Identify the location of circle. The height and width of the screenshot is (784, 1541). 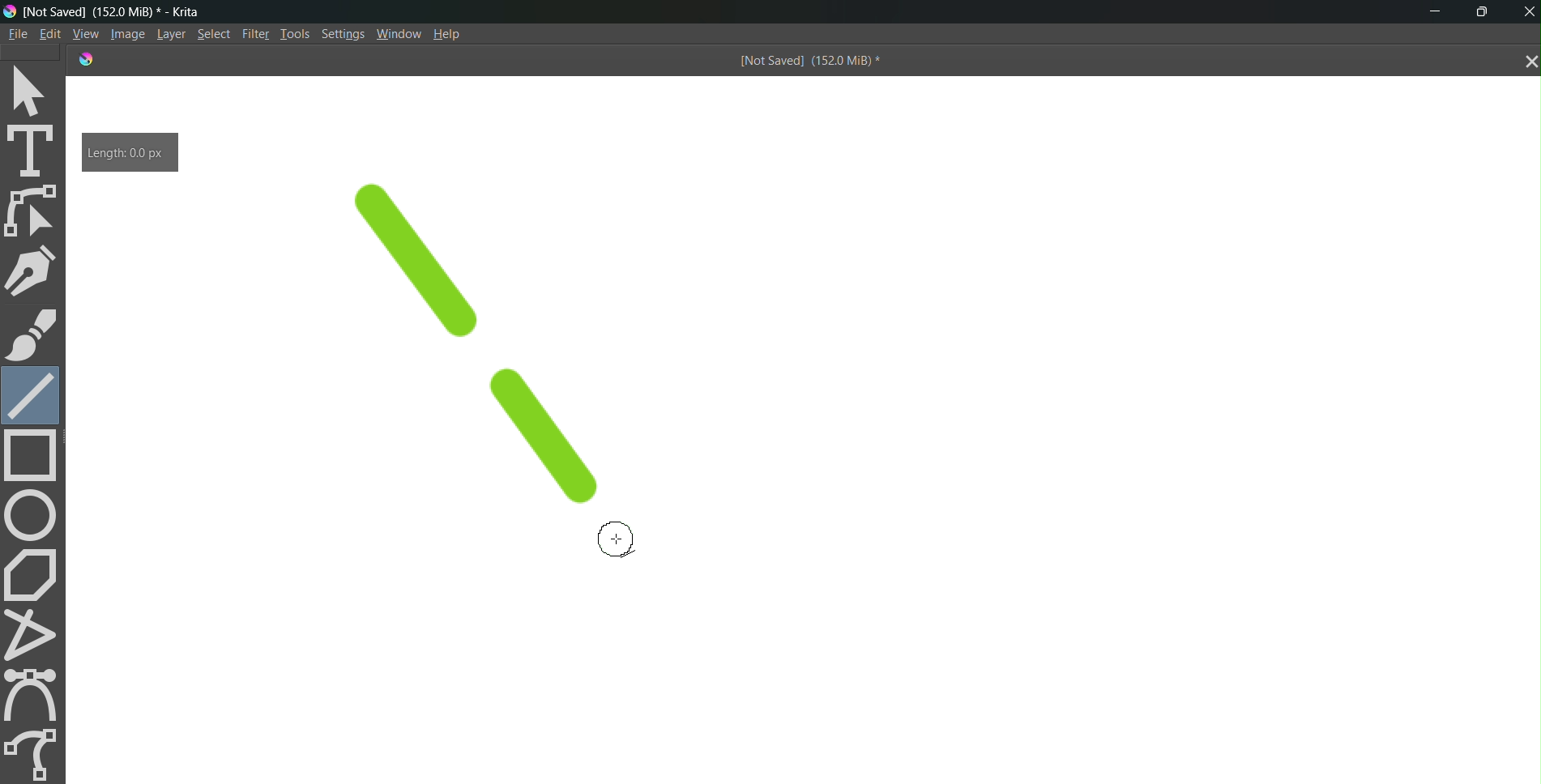
(32, 514).